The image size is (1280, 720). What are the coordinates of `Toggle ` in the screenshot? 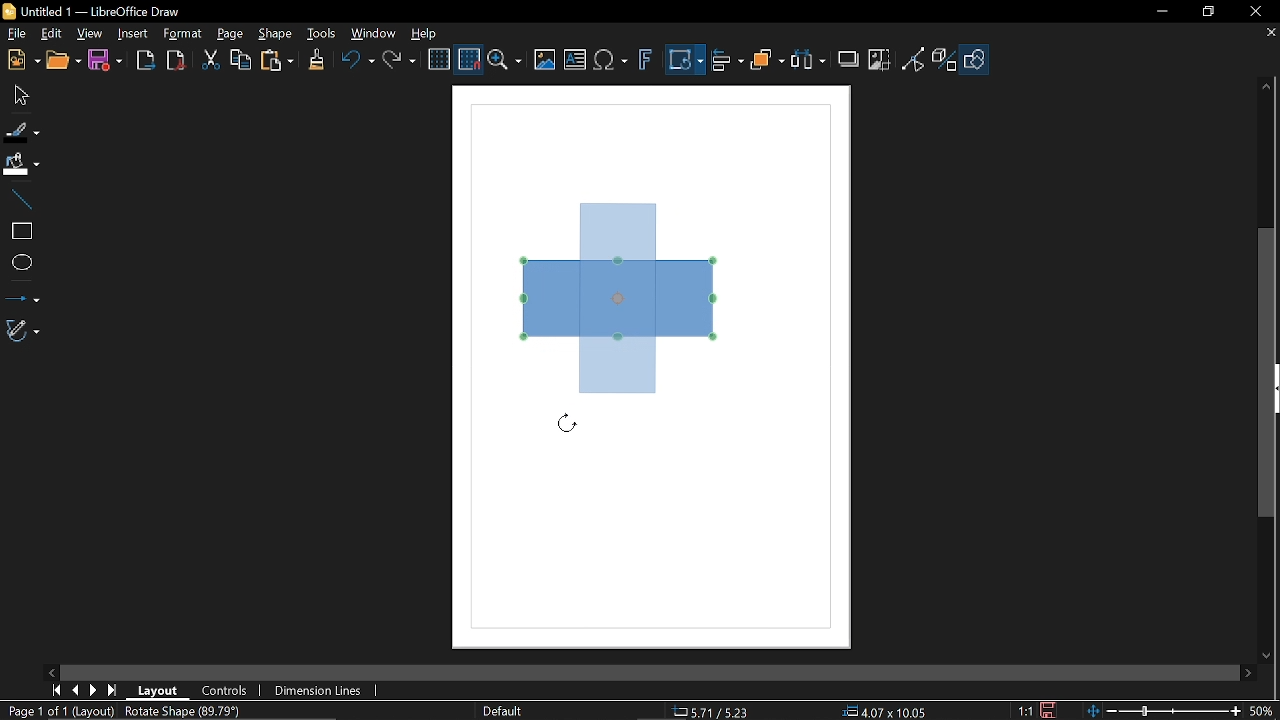 It's located at (914, 61).